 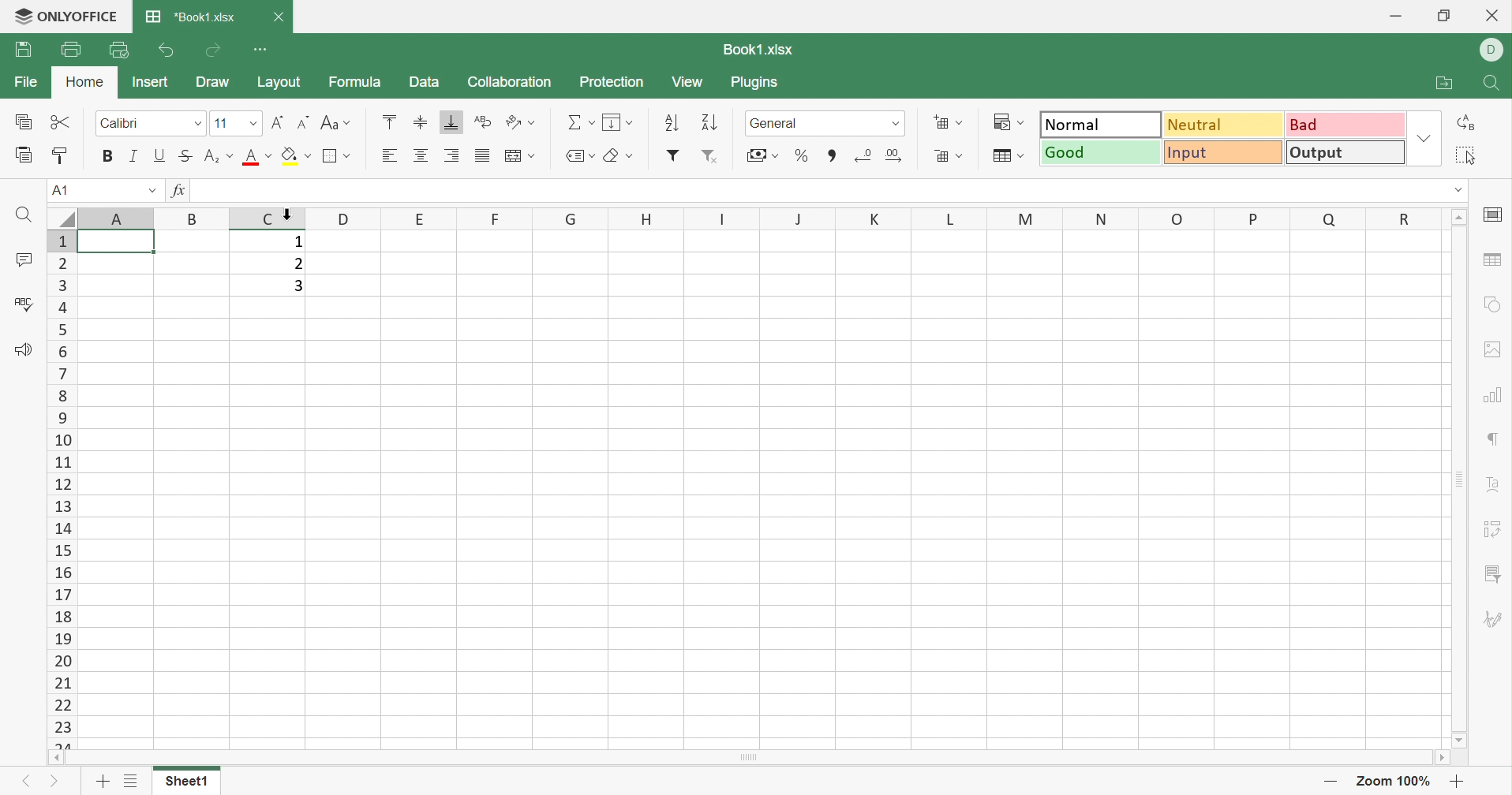 I want to click on Percentage style, so click(x=803, y=155).